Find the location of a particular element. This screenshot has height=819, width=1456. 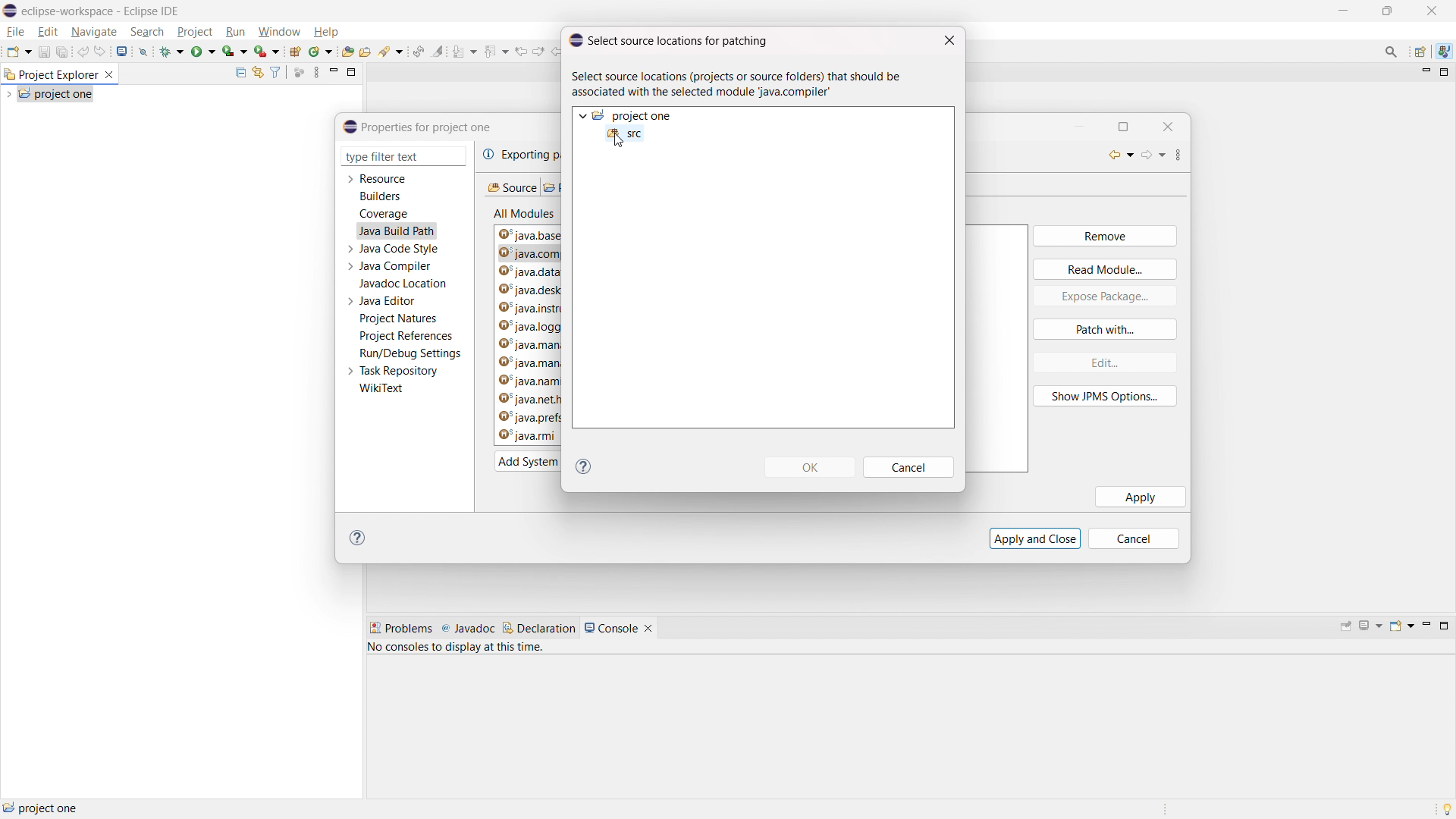

remove is located at coordinates (1104, 237).